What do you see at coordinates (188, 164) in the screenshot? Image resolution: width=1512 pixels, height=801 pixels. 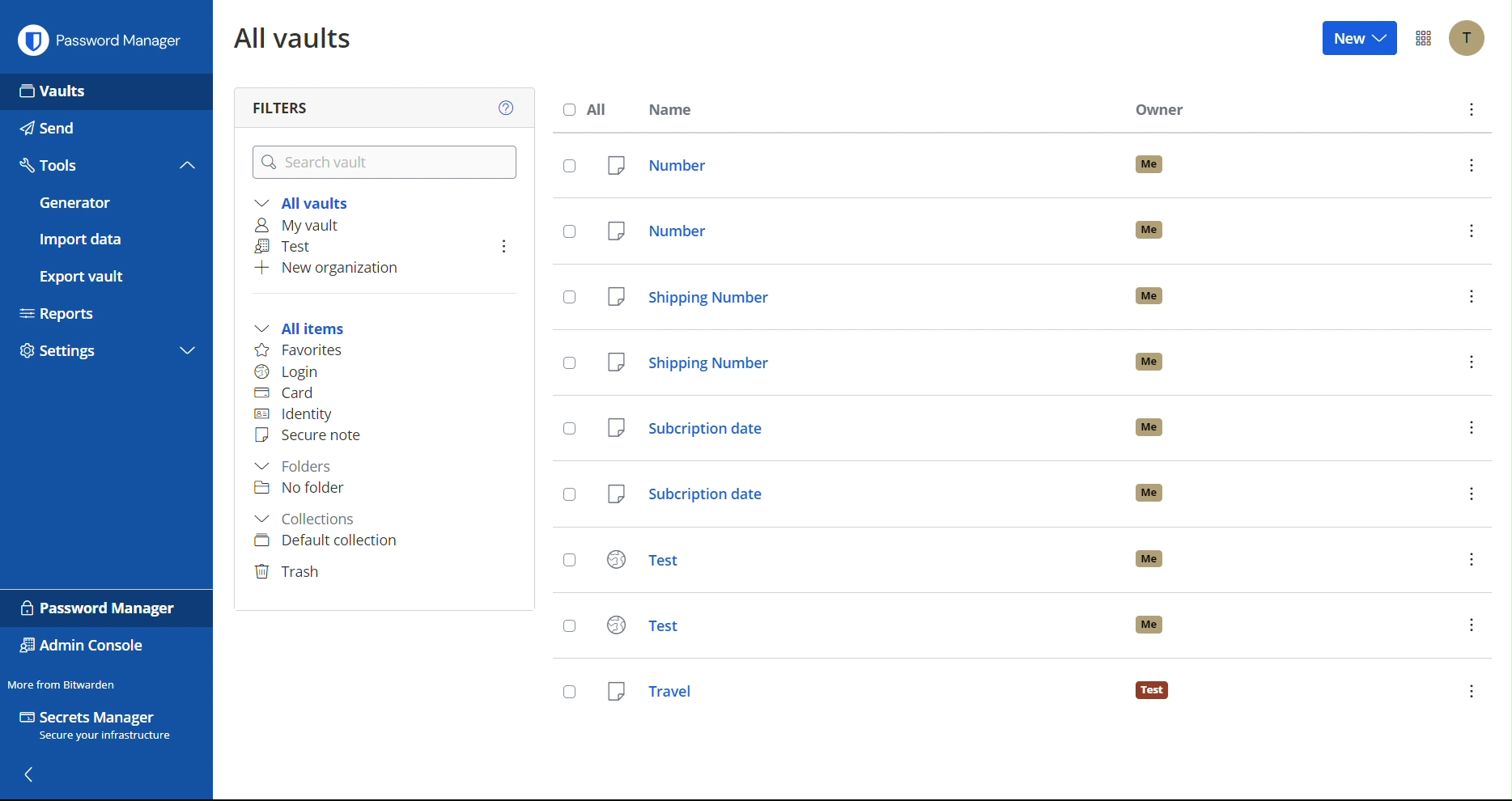 I see `collapse tools` at bounding box center [188, 164].